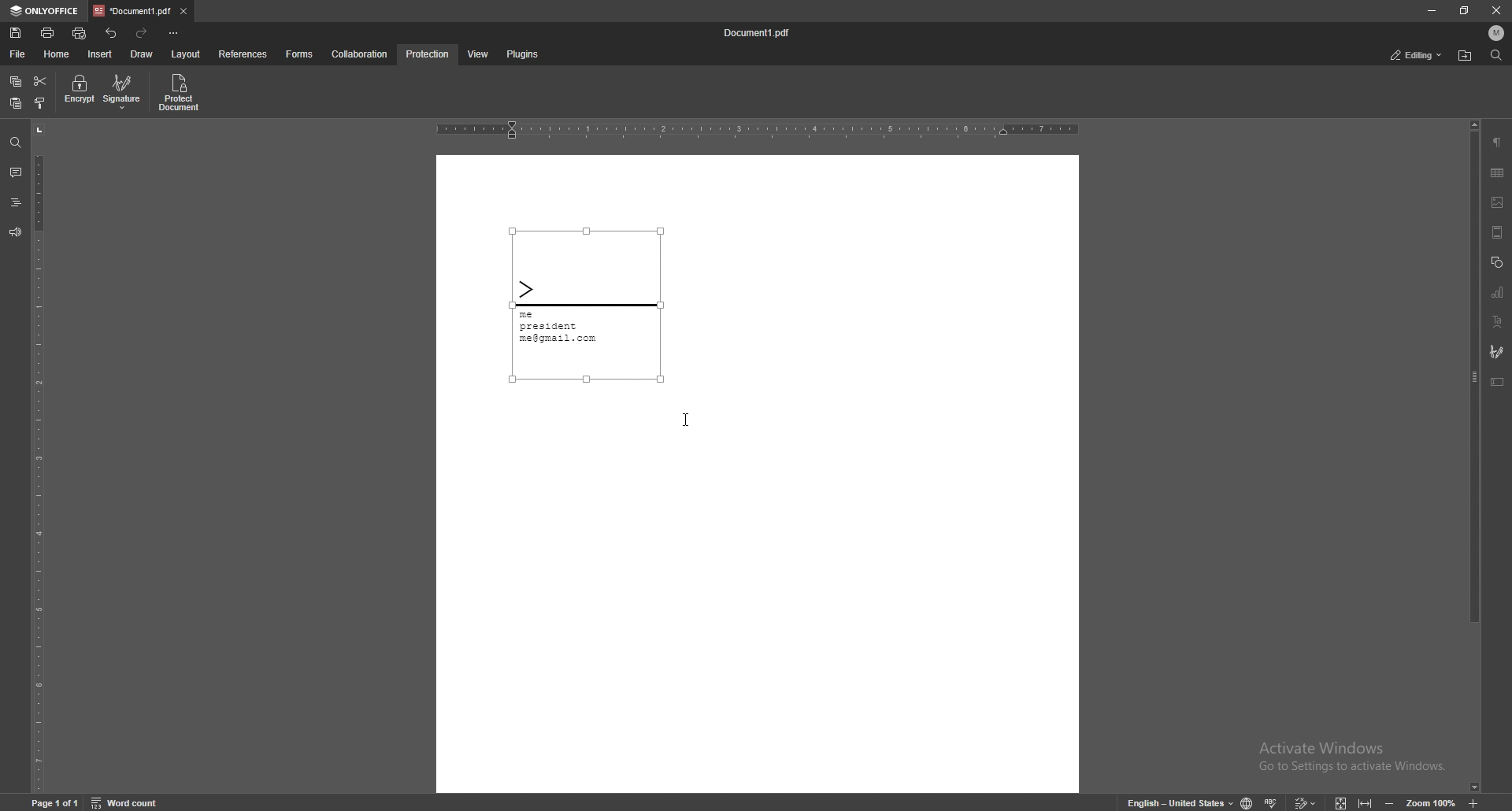 This screenshot has width=1512, height=811. Describe the element at coordinates (181, 92) in the screenshot. I see `protect document` at that location.